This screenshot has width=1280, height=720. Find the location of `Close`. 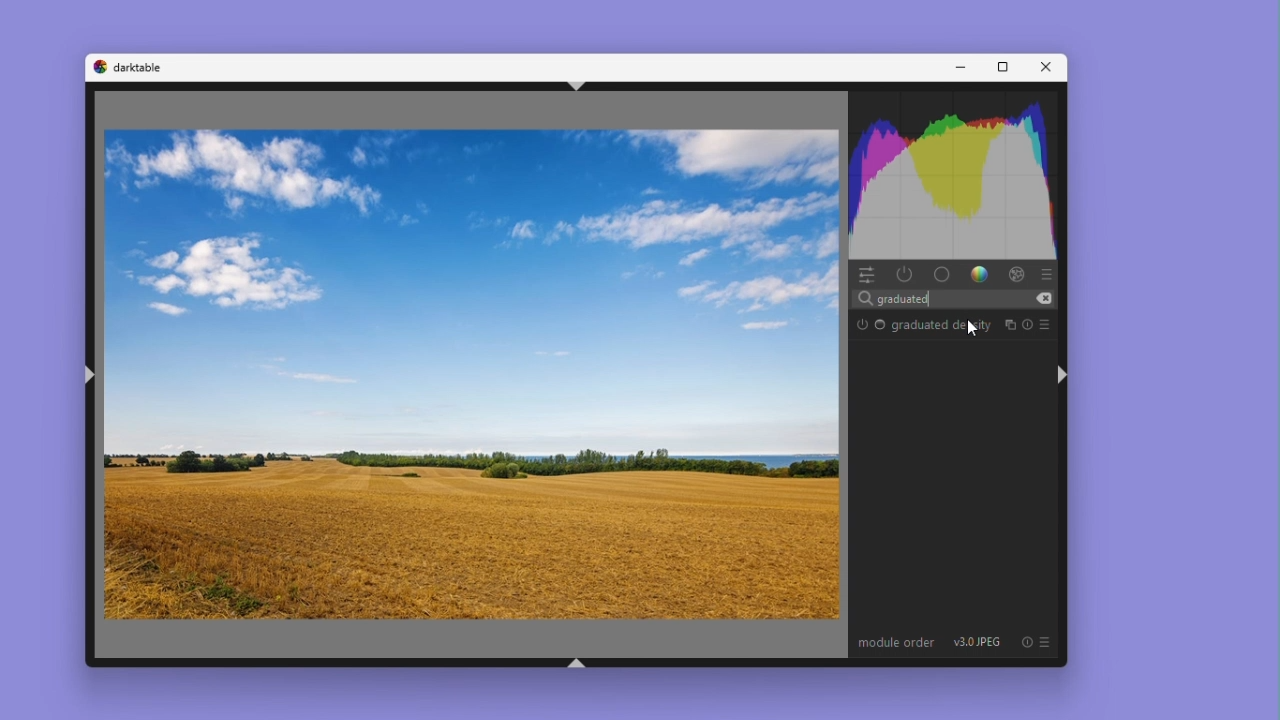

Close is located at coordinates (1043, 67).